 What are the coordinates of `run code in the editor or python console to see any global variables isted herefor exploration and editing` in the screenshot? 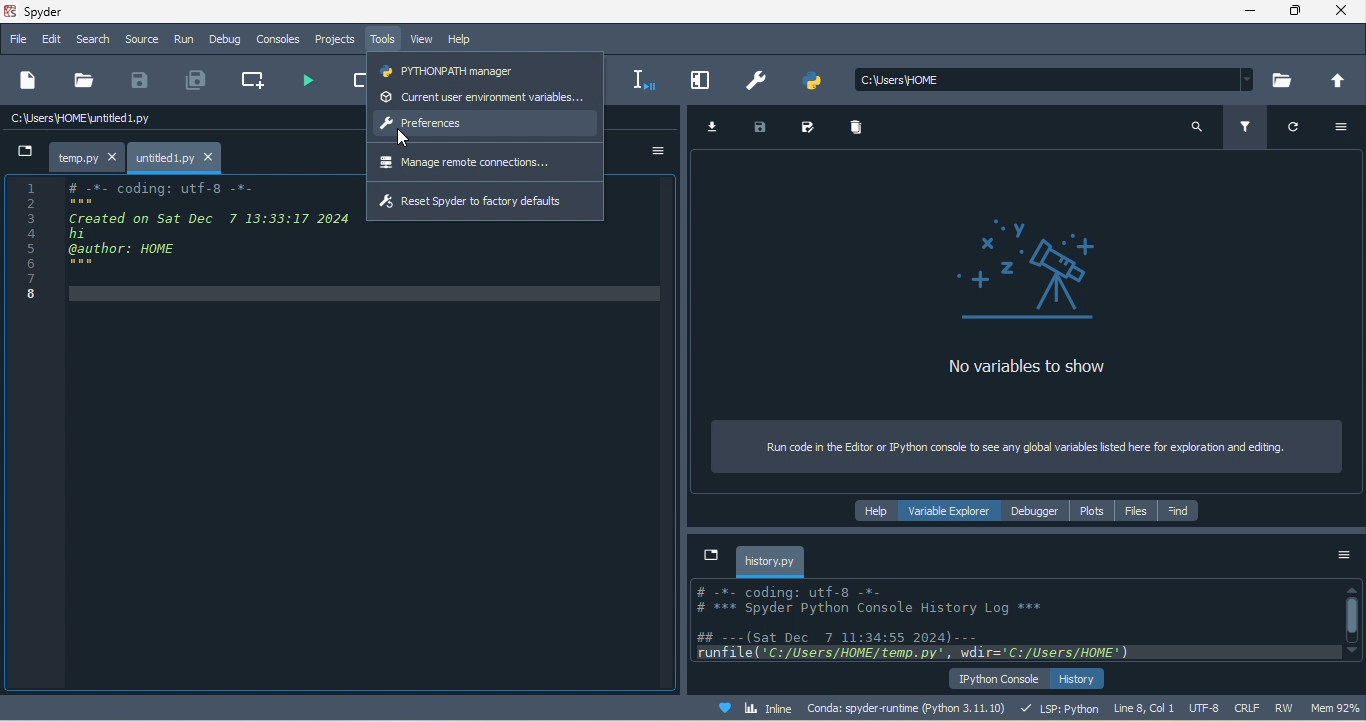 It's located at (1023, 446).